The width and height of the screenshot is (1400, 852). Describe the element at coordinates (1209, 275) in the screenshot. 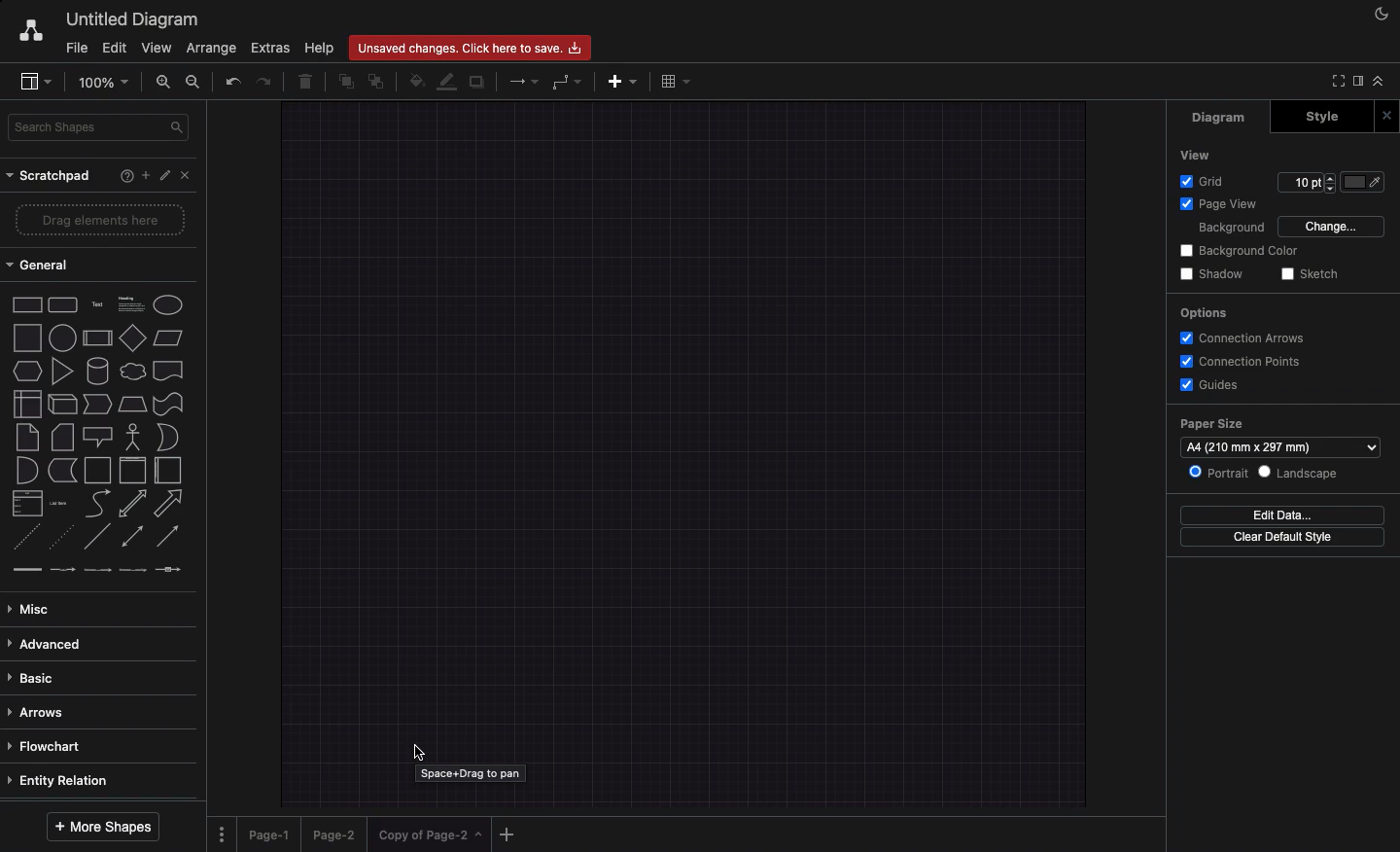

I see `Shadow` at that location.